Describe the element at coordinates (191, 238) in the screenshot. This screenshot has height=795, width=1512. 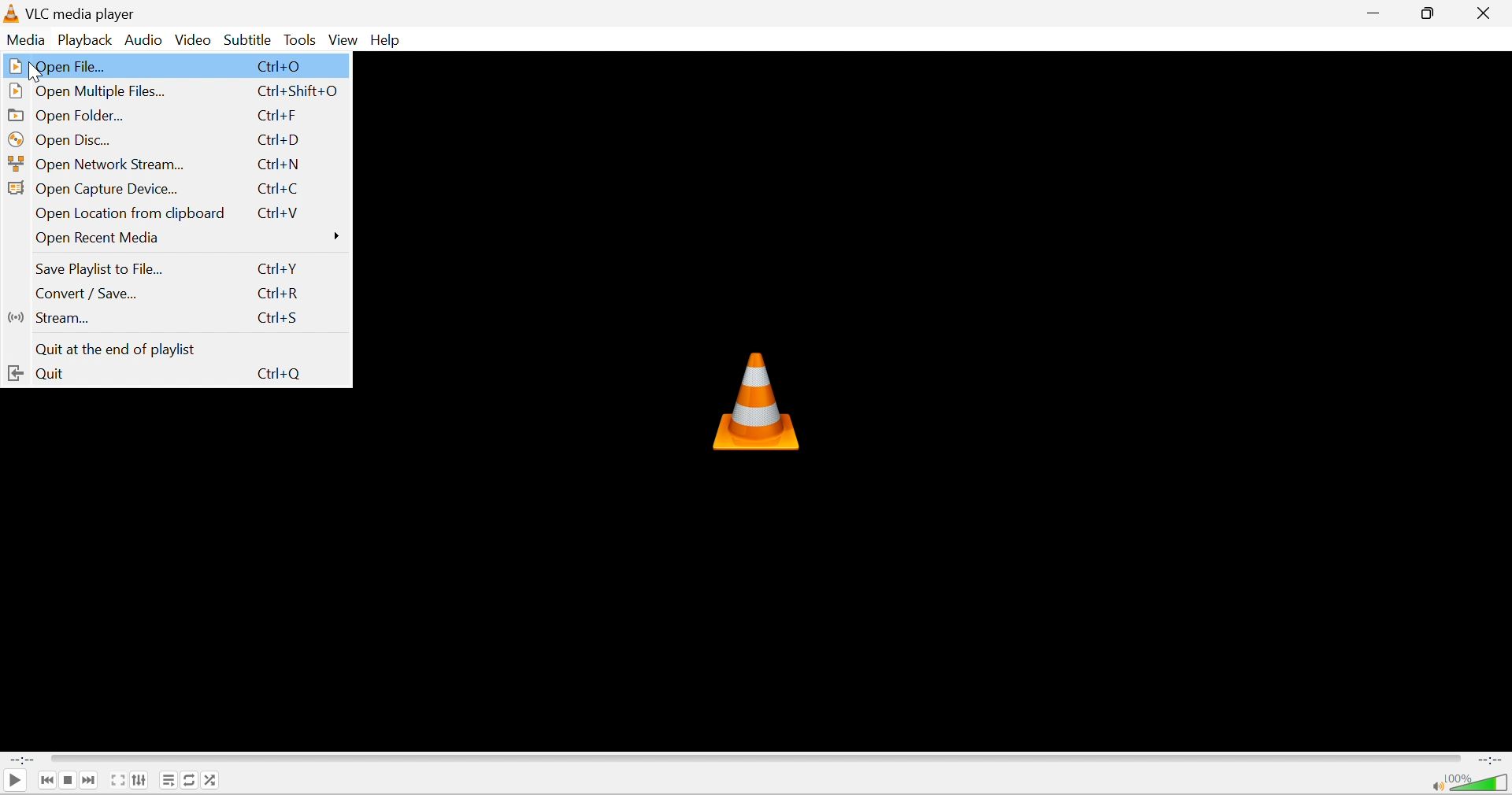
I see `Open Recent Media` at that location.